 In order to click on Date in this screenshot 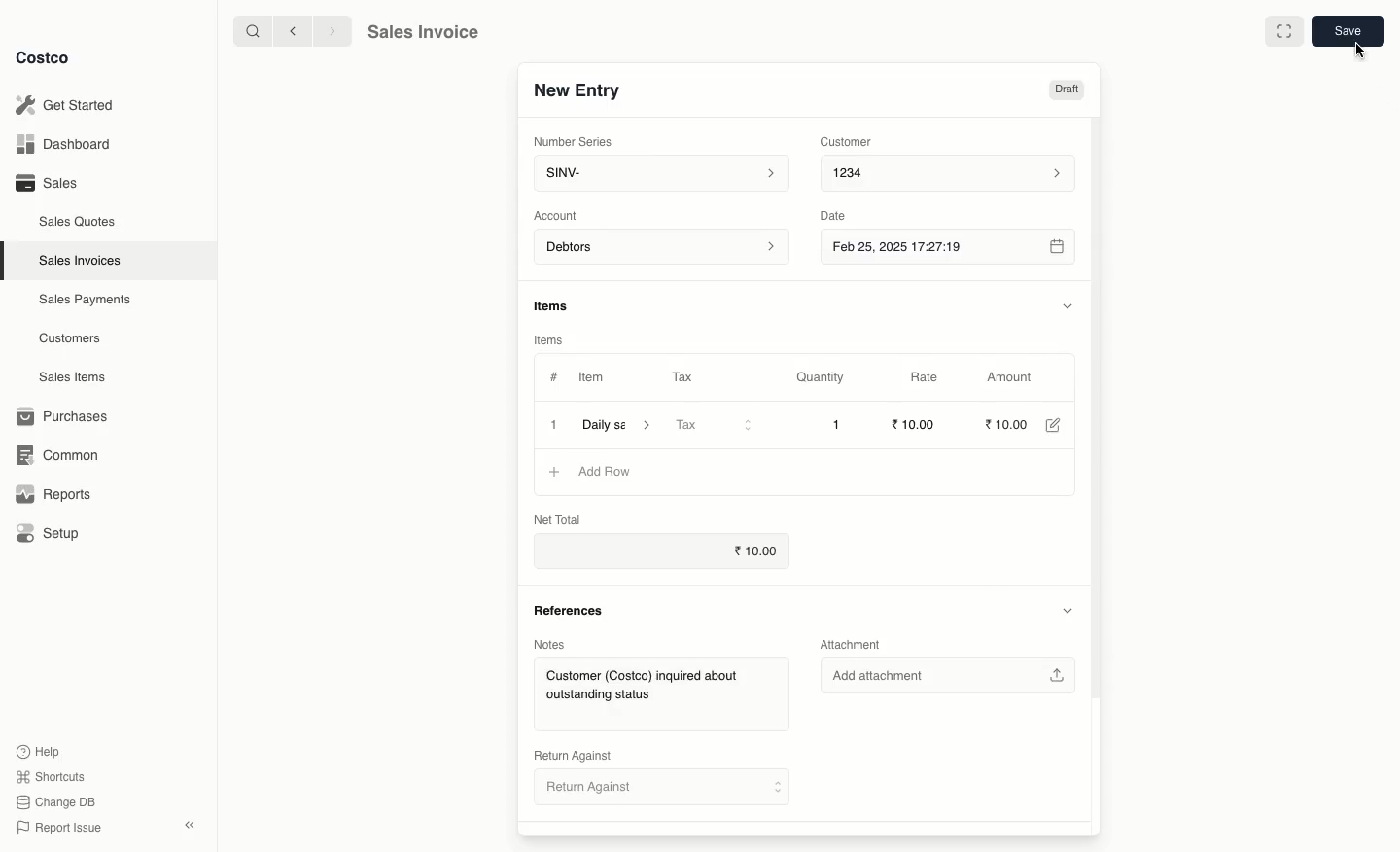, I will do `click(842, 218)`.